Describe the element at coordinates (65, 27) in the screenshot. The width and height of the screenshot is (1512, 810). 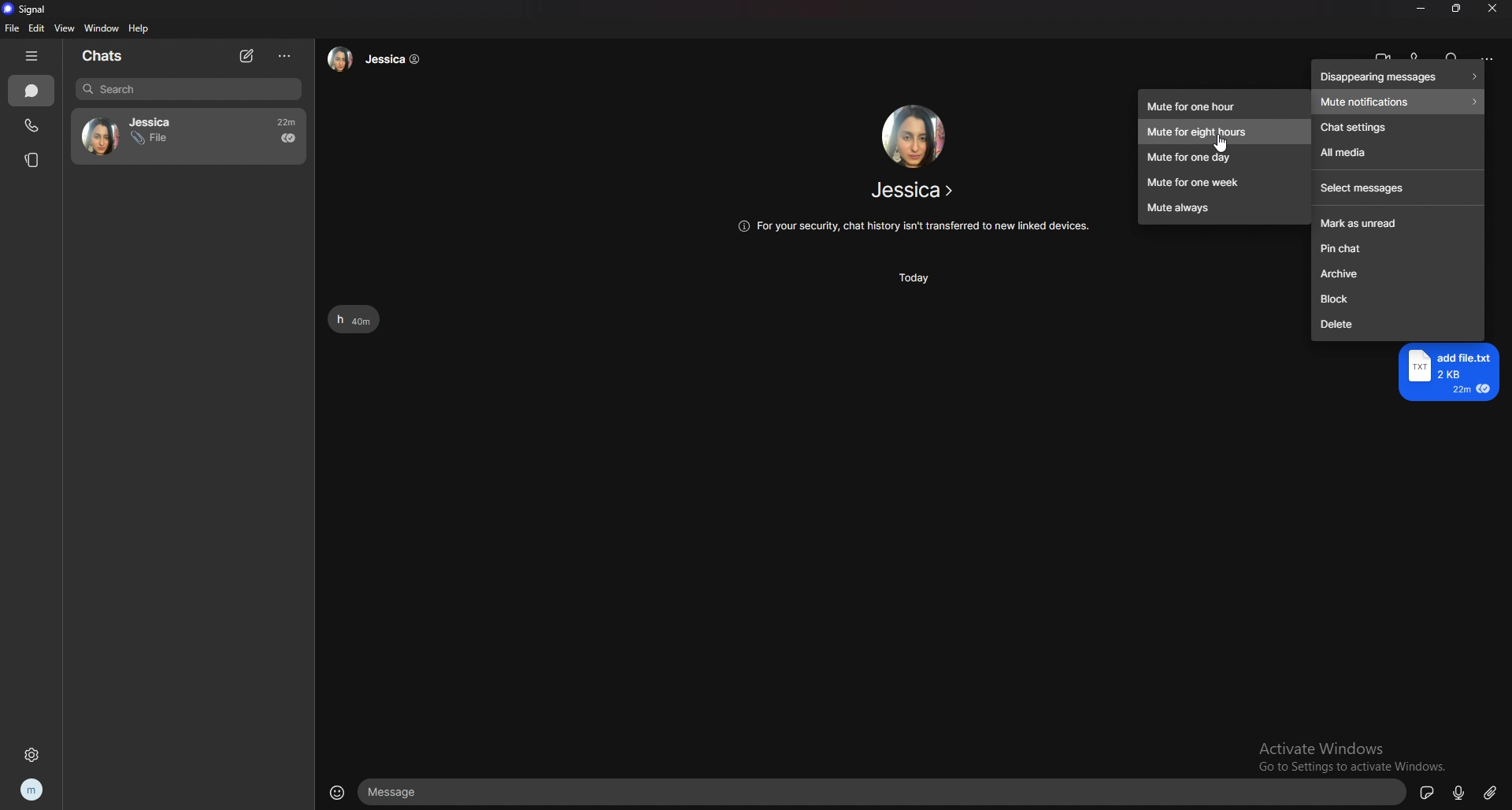
I see `view` at that location.